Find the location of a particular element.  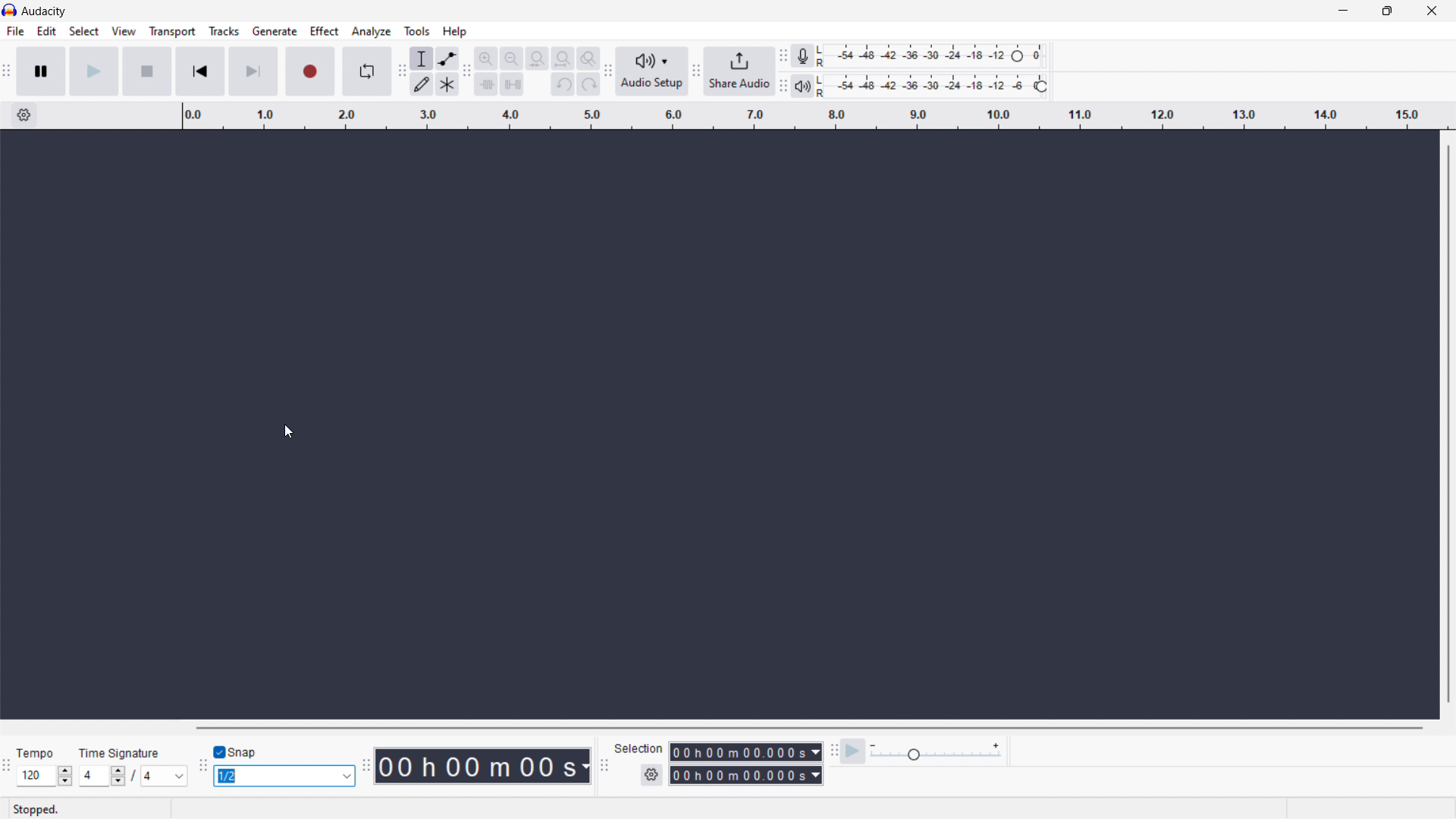

skip to start is located at coordinates (200, 72).